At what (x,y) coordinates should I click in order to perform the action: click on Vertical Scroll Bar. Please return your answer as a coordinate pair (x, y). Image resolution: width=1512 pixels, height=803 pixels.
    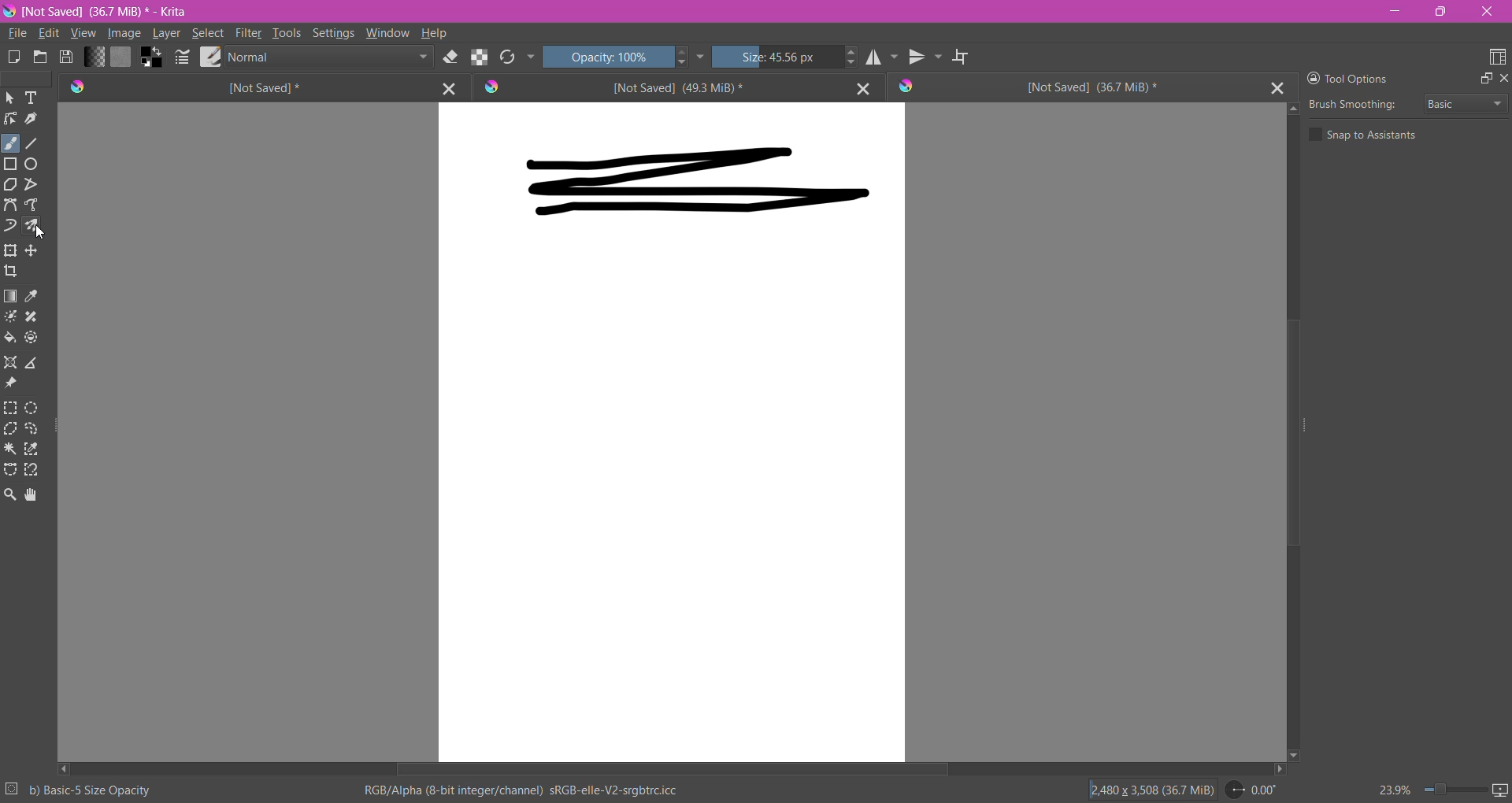
    Looking at the image, I should click on (1295, 432).